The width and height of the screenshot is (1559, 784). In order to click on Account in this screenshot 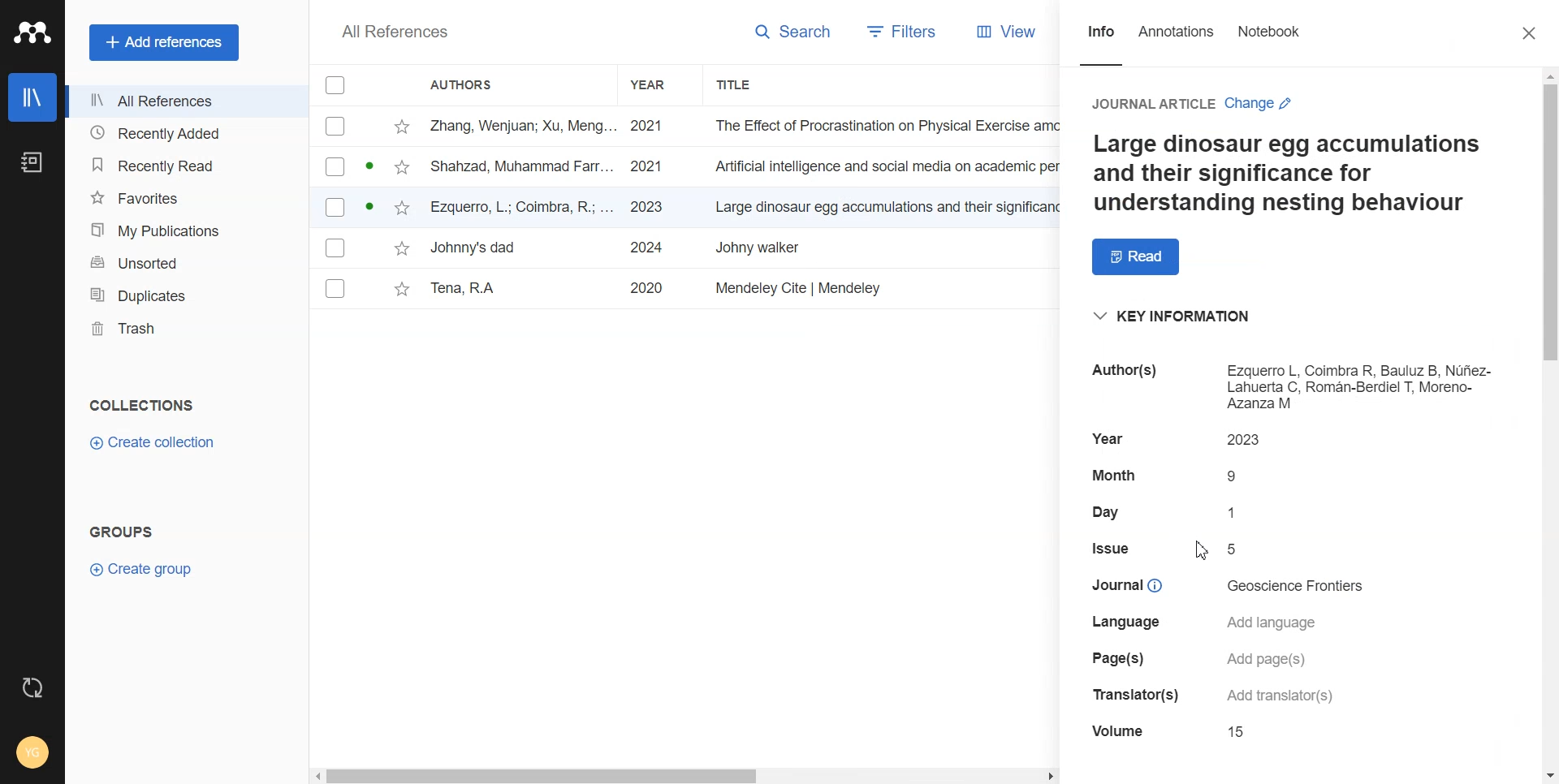, I will do `click(30, 749)`.